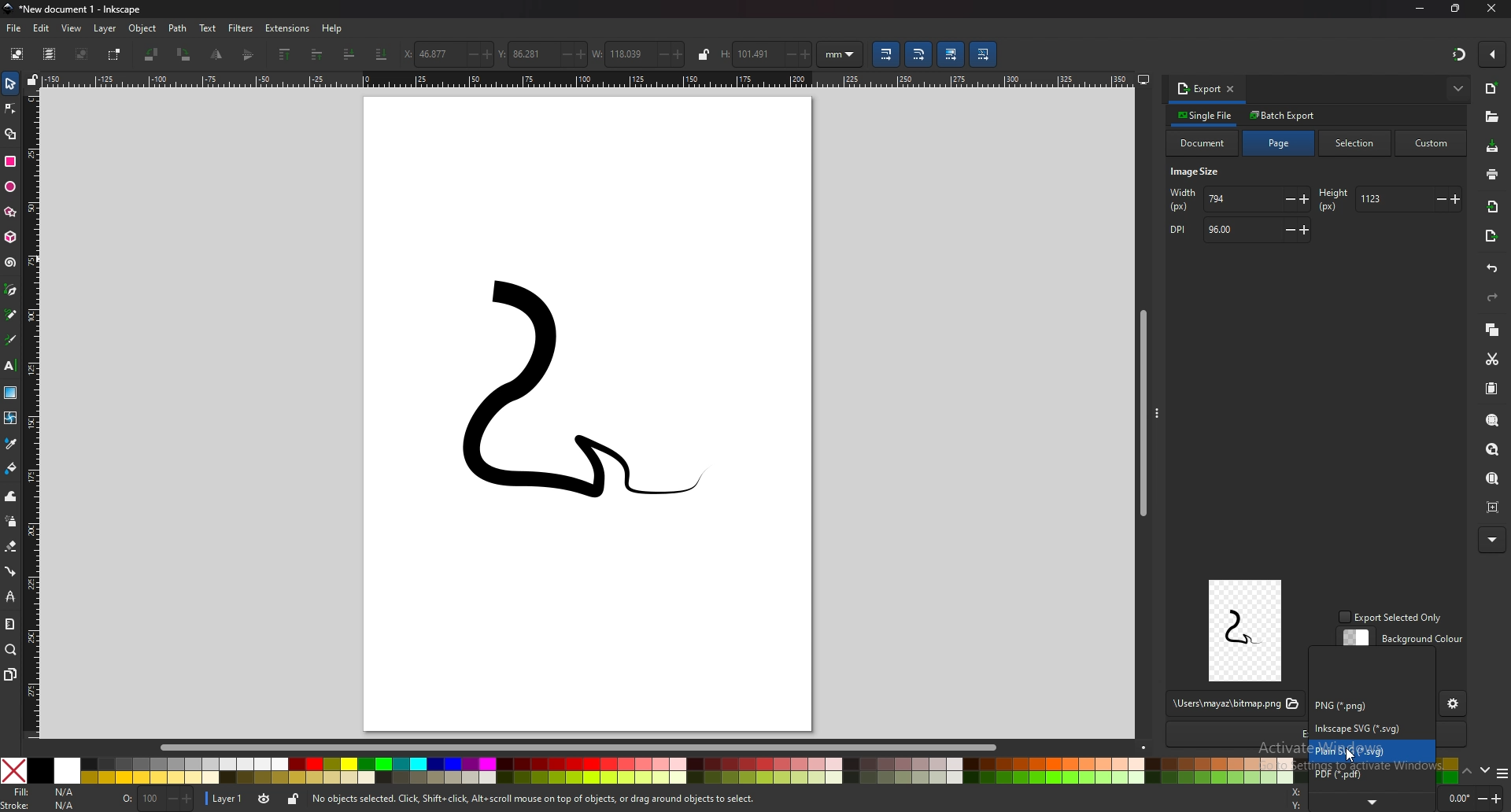  I want to click on flip horizontally, so click(249, 54).